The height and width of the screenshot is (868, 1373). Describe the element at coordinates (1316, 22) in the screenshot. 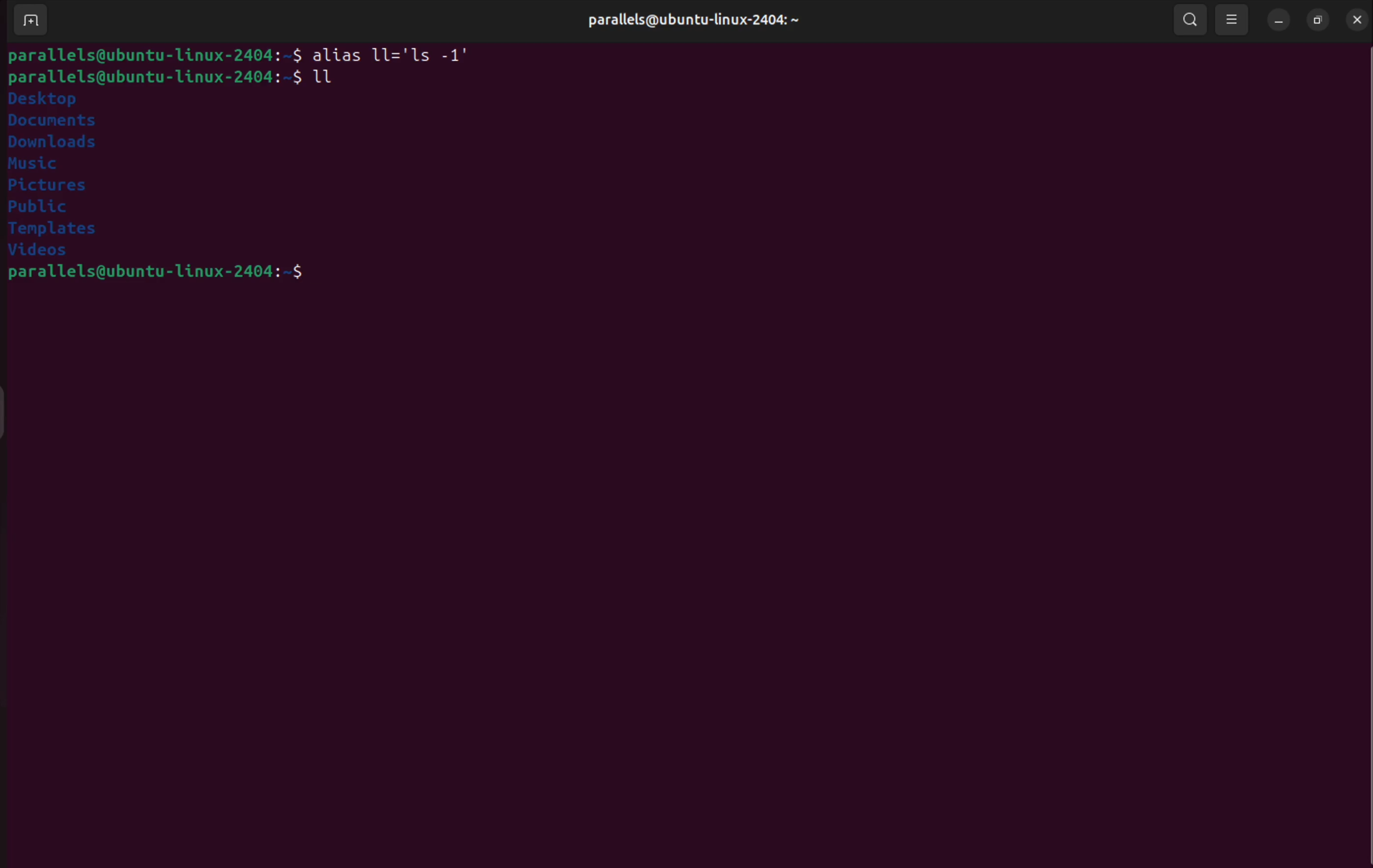

I see `resize` at that location.